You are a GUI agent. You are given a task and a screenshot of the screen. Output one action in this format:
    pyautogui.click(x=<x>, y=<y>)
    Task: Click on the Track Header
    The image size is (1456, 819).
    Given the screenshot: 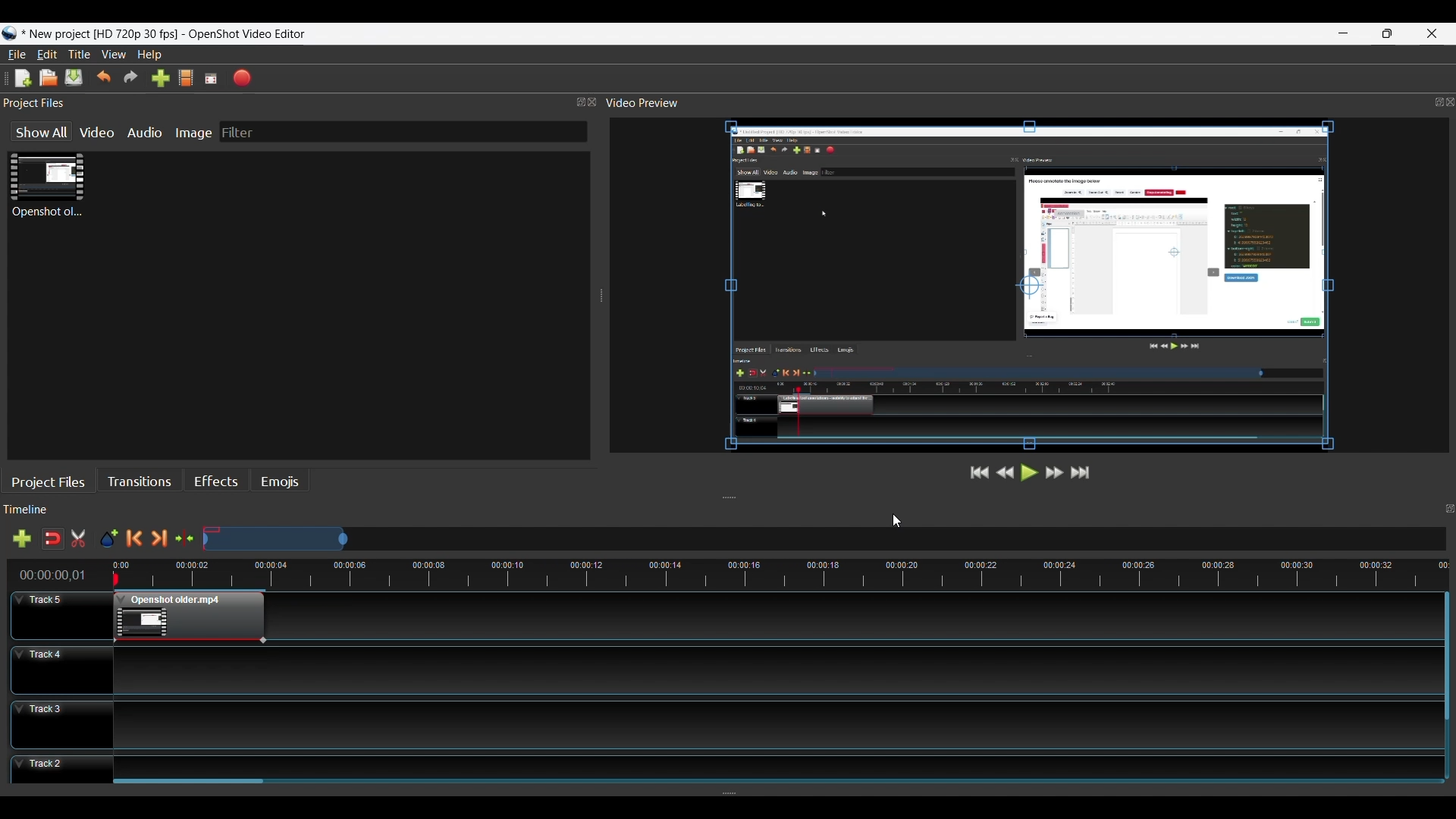 What is the action you would take?
    pyautogui.click(x=53, y=613)
    